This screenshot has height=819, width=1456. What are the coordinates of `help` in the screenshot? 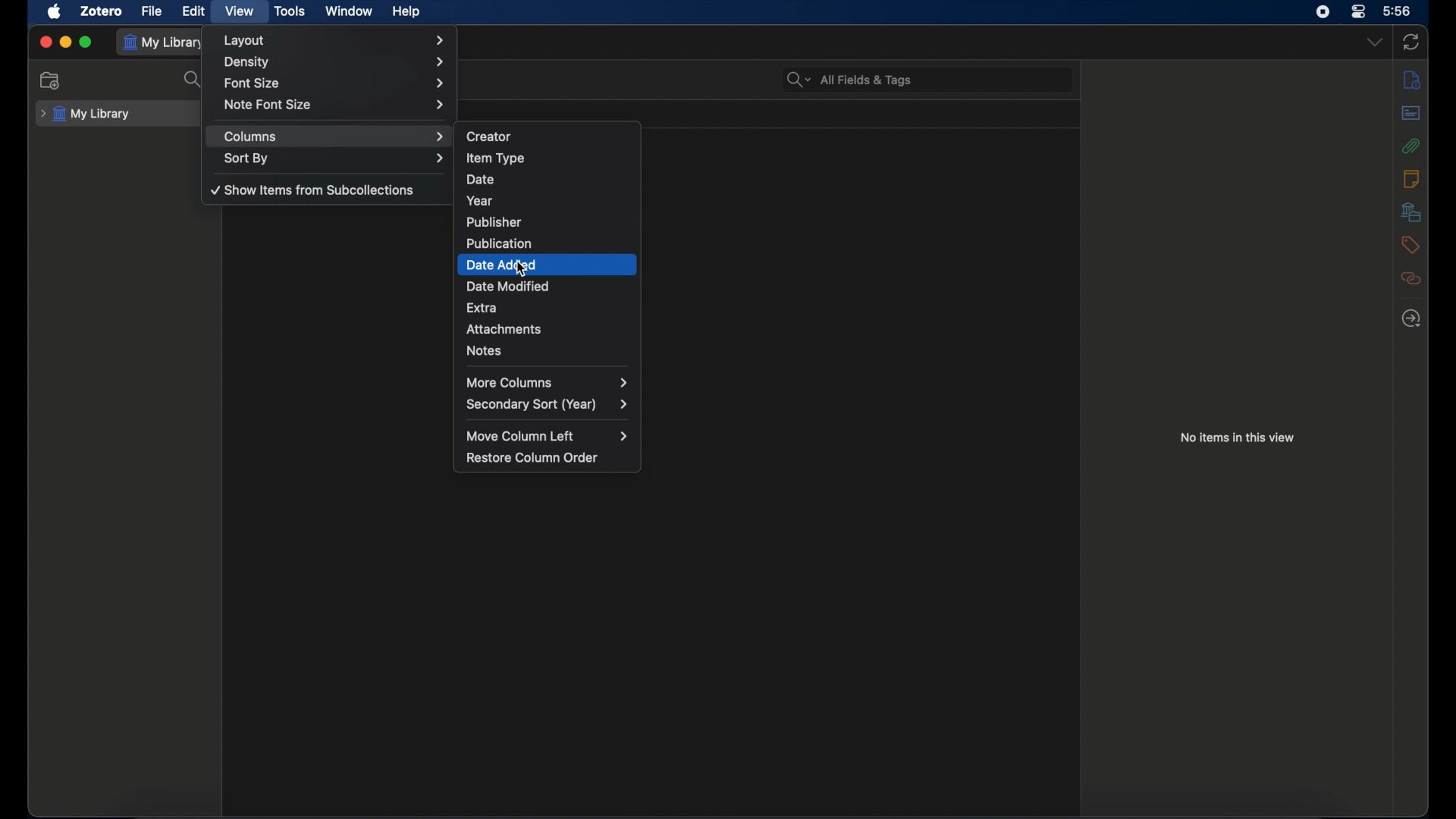 It's located at (406, 12).